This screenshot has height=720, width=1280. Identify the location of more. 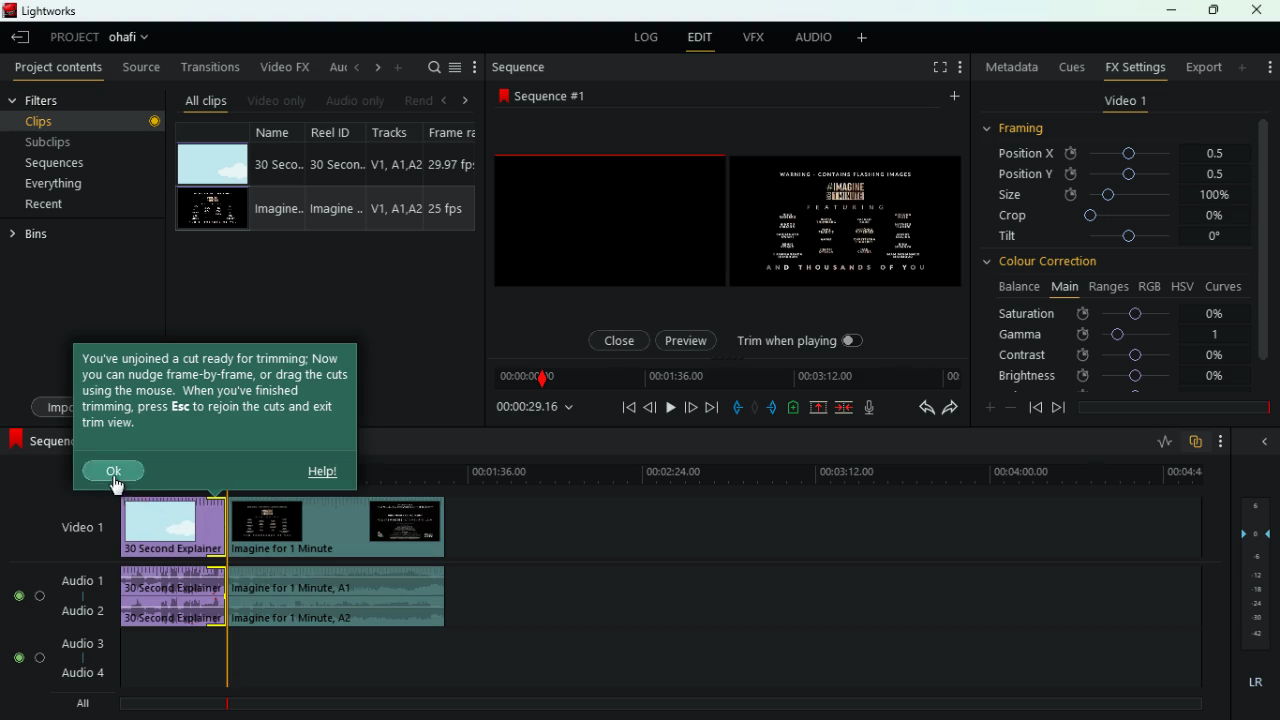
(866, 39).